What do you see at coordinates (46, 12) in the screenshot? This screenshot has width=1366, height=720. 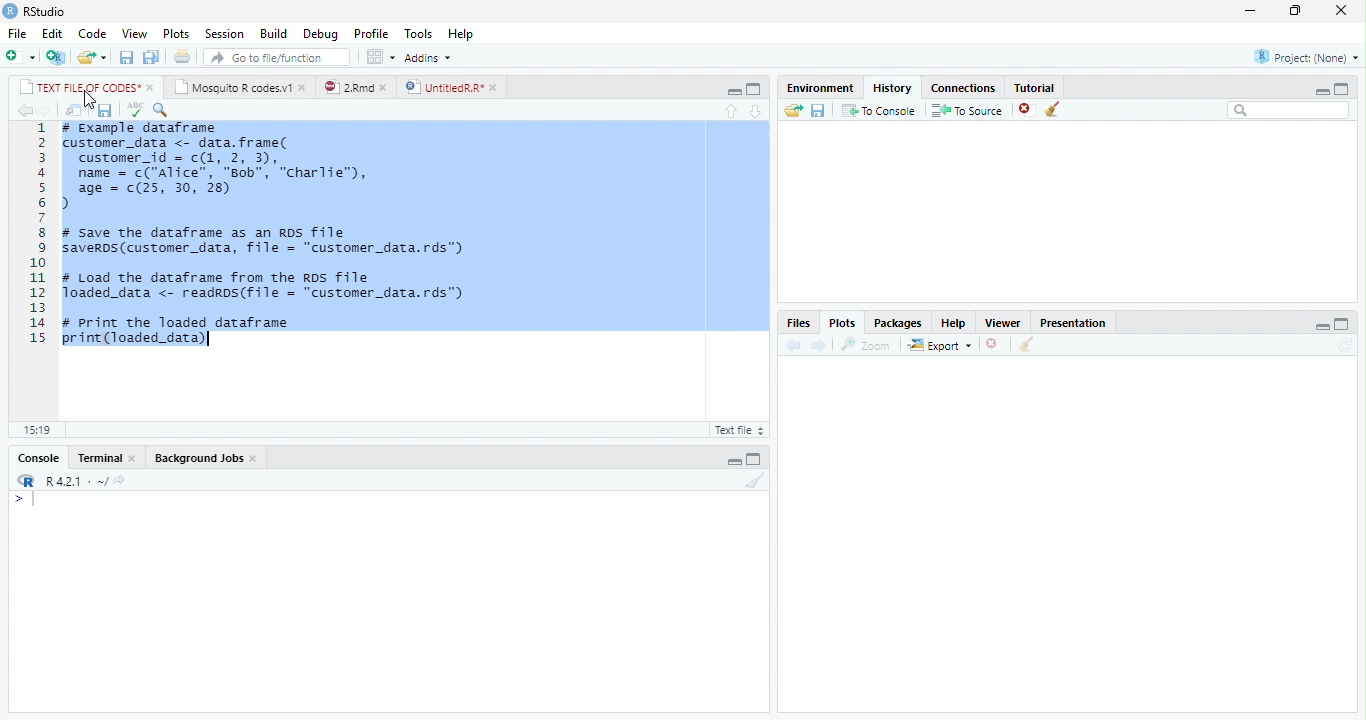 I see `RStudio` at bounding box center [46, 12].